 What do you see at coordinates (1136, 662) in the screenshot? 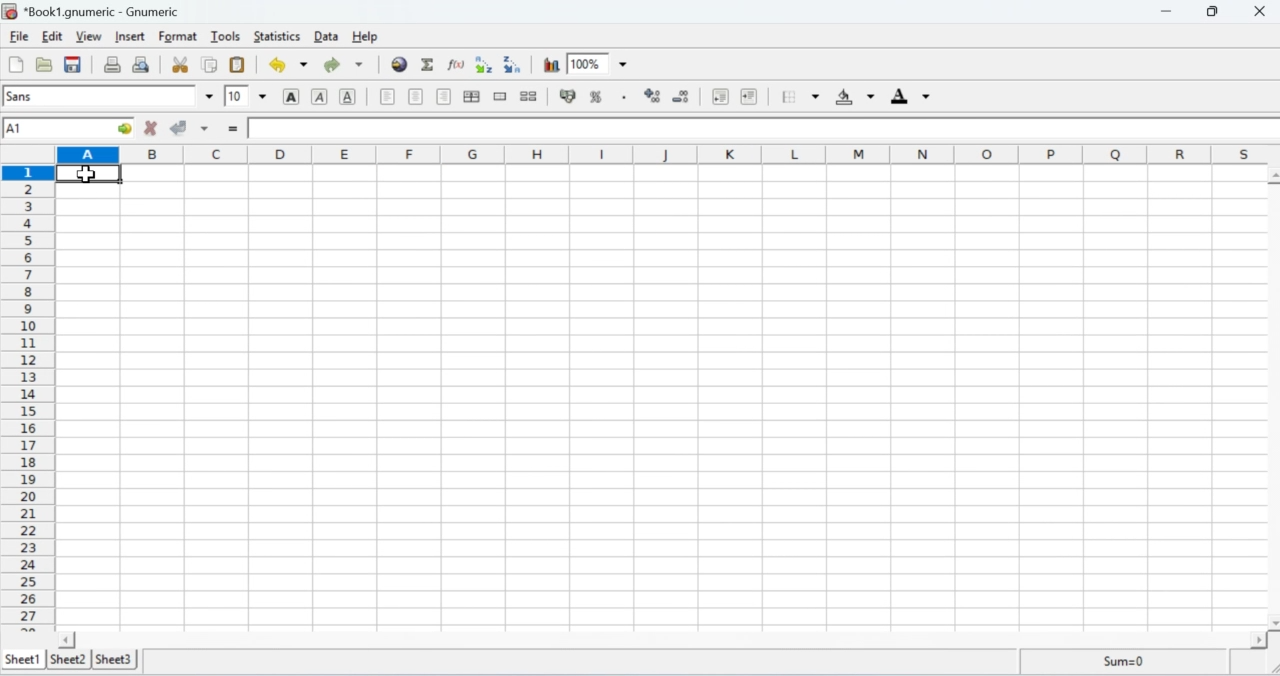
I see `Sum=0` at bounding box center [1136, 662].